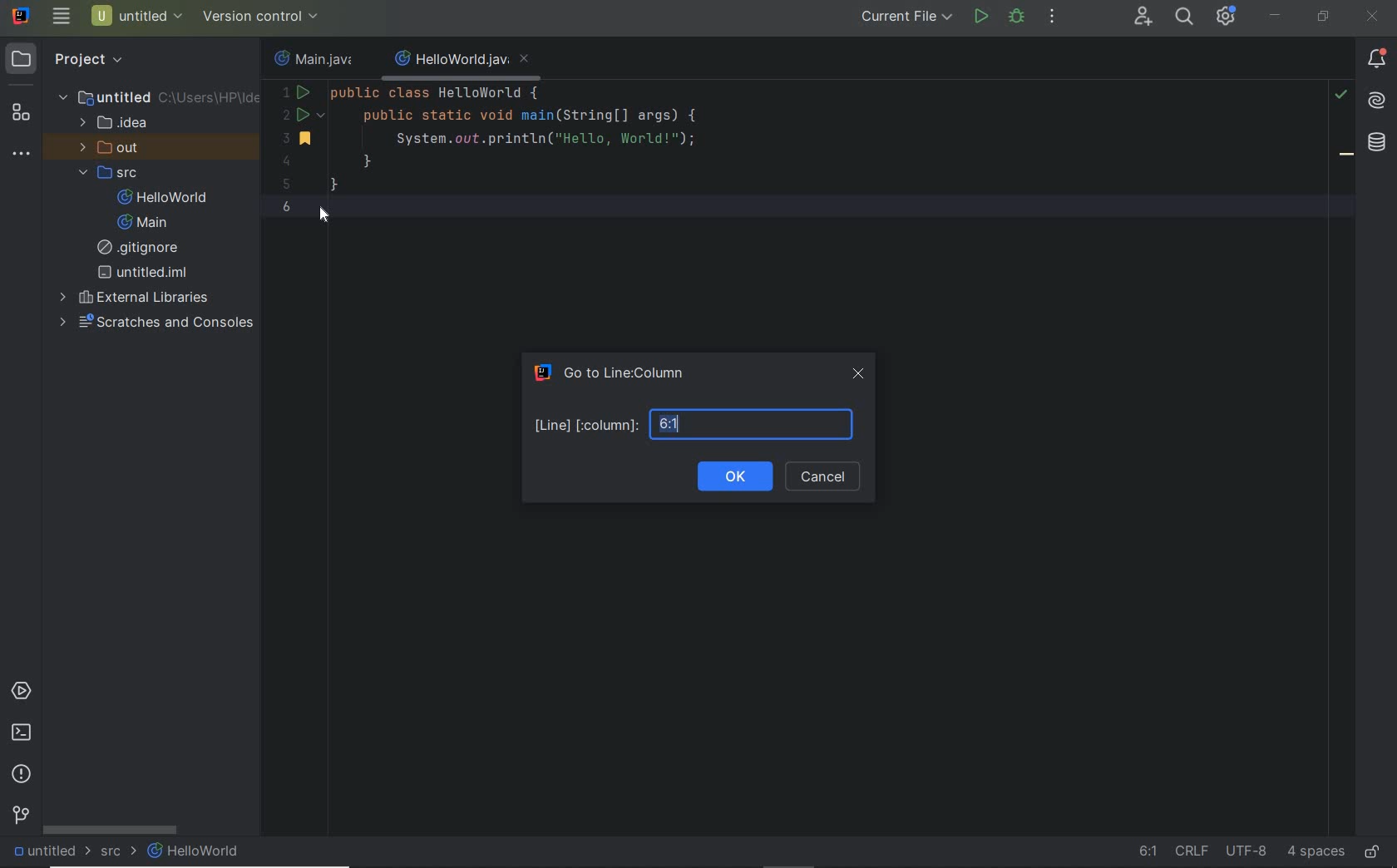 The image size is (1397, 868). What do you see at coordinates (981, 17) in the screenshot?
I see `run` at bounding box center [981, 17].